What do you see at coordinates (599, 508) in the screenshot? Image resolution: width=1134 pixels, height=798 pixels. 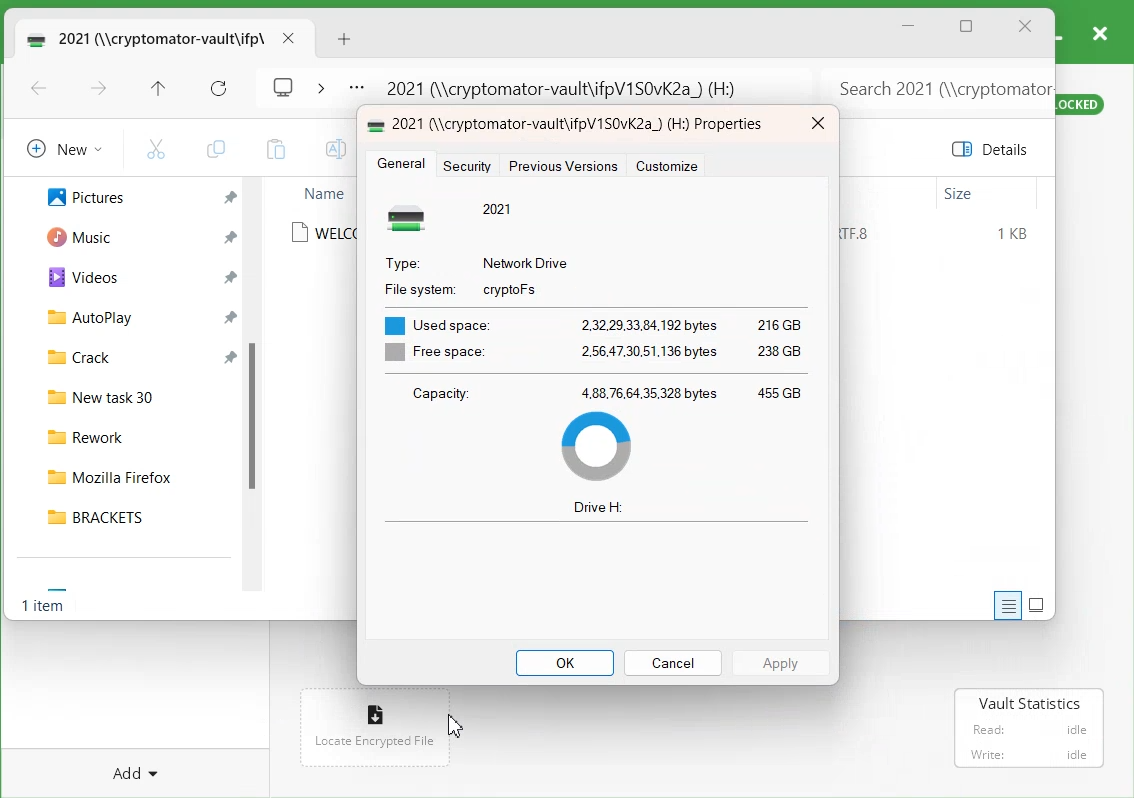 I see `Drive H` at bounding box center [599, 508].